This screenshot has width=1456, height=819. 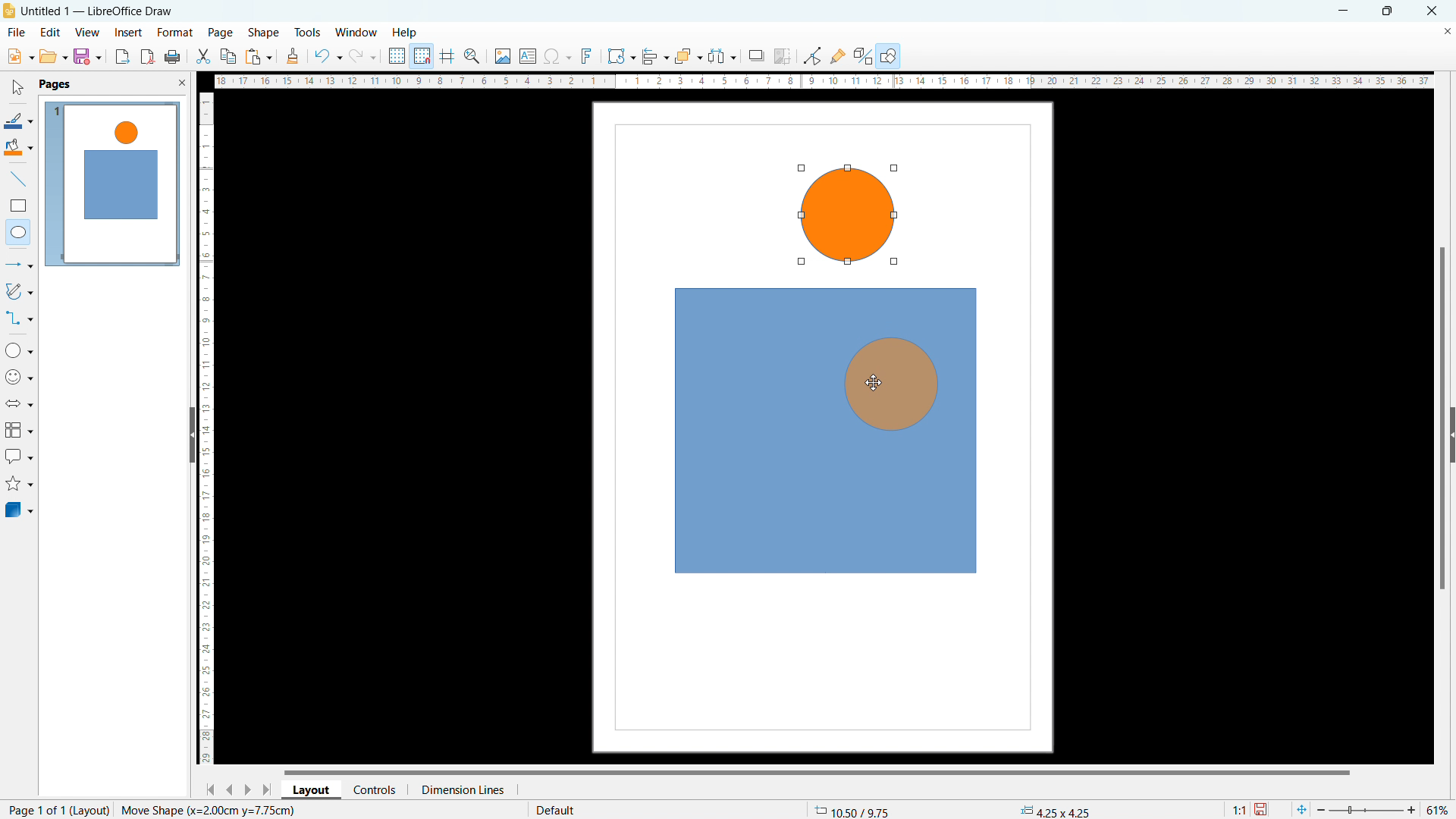 I want to click on hide pane, so click(x=191, y=435).